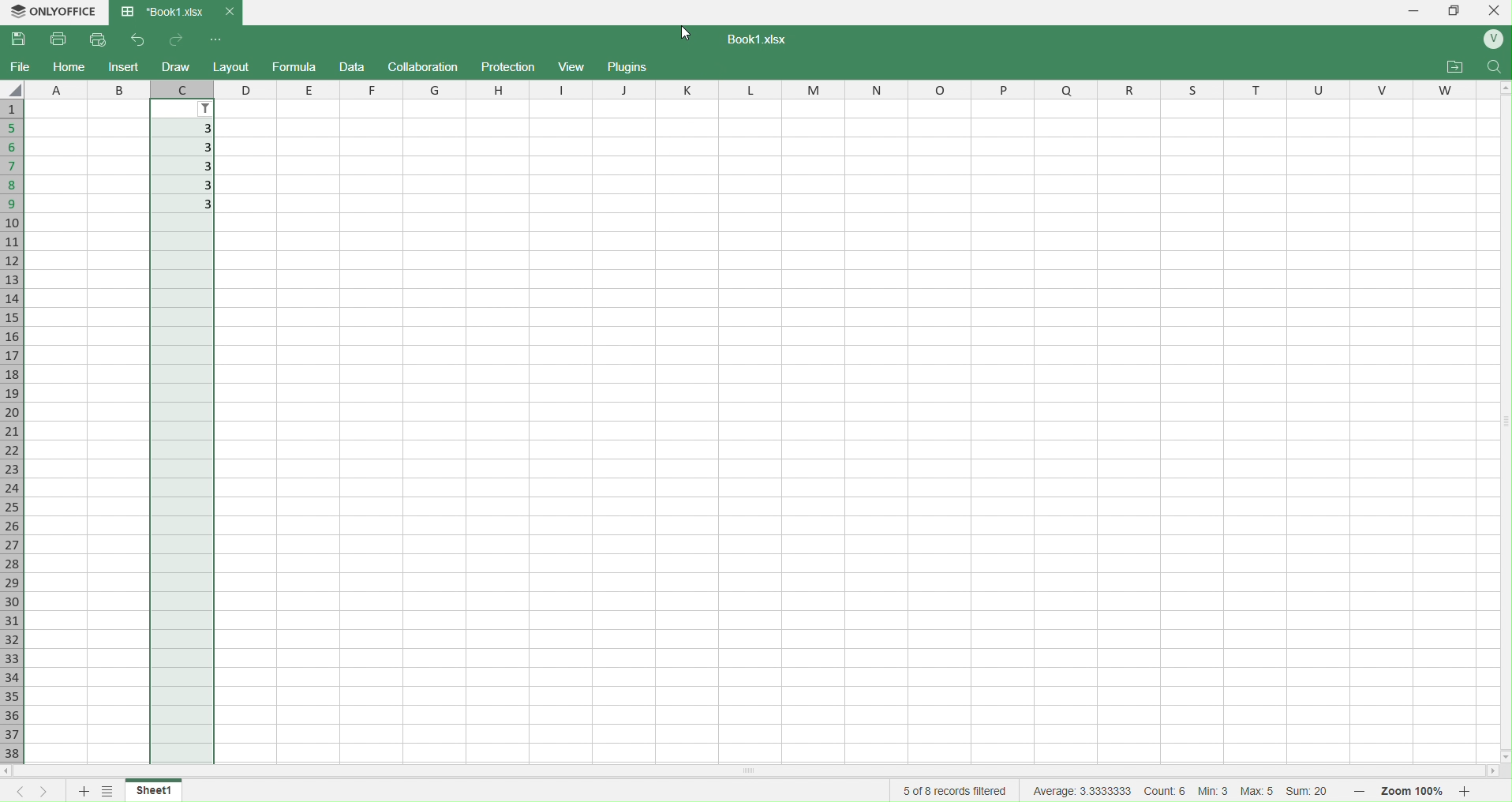  I want to click on Save, so click(21, 39).